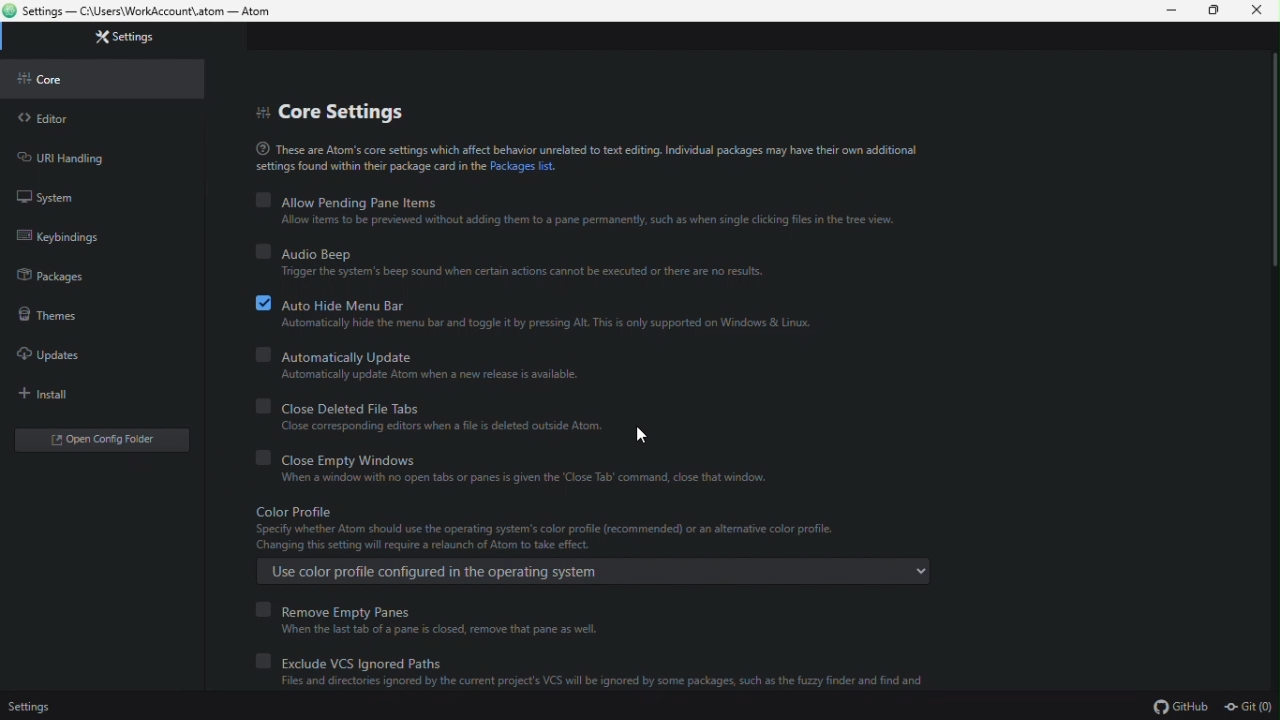  What do you see at coordinates (332, 105) in the screenshot?
I see `Core settings` at bounding box center [332, 105].